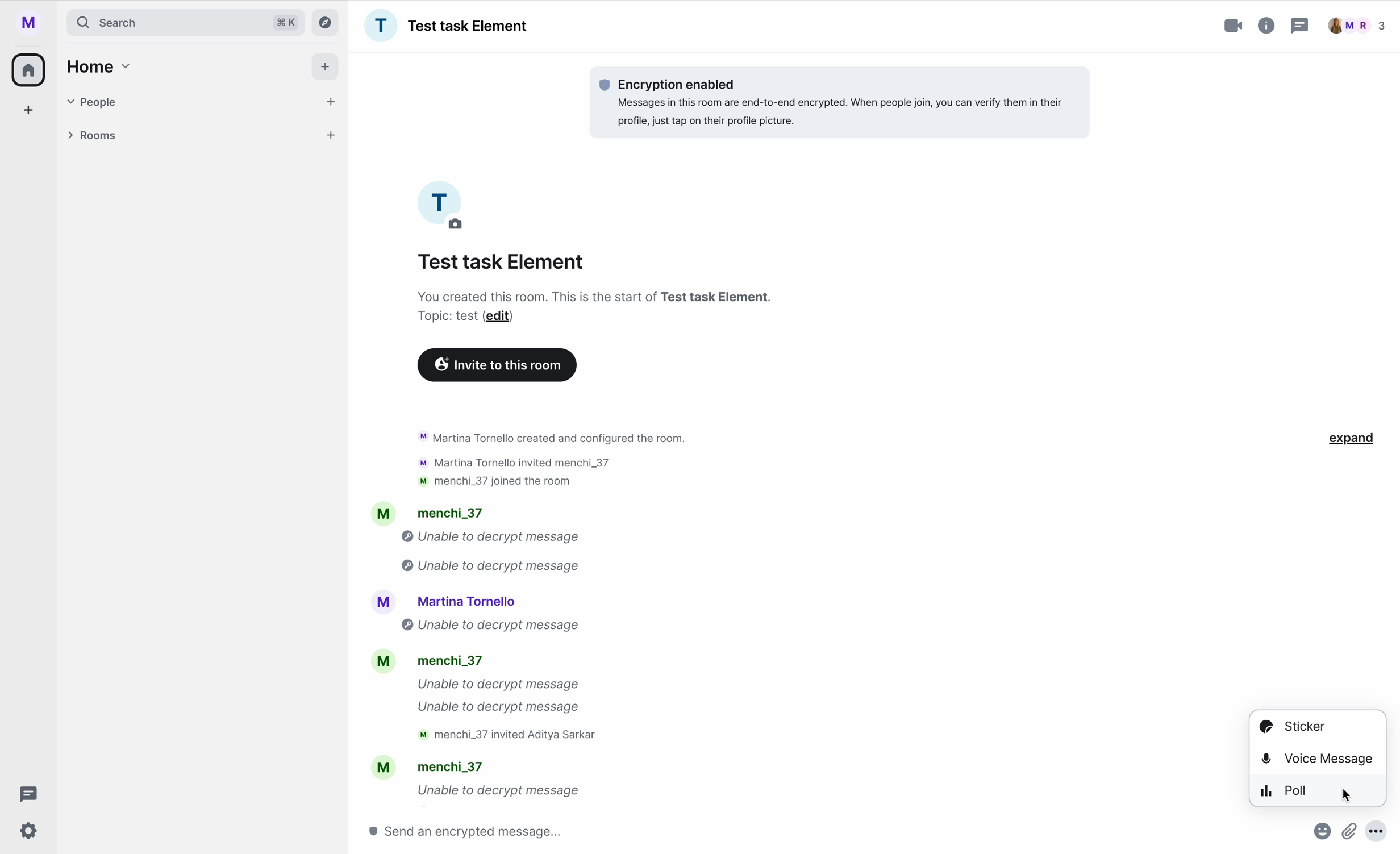  What do you see at coordinates (503, 262) in the screenshot?
I see `Test task Element` at bounding box center [503, 262].